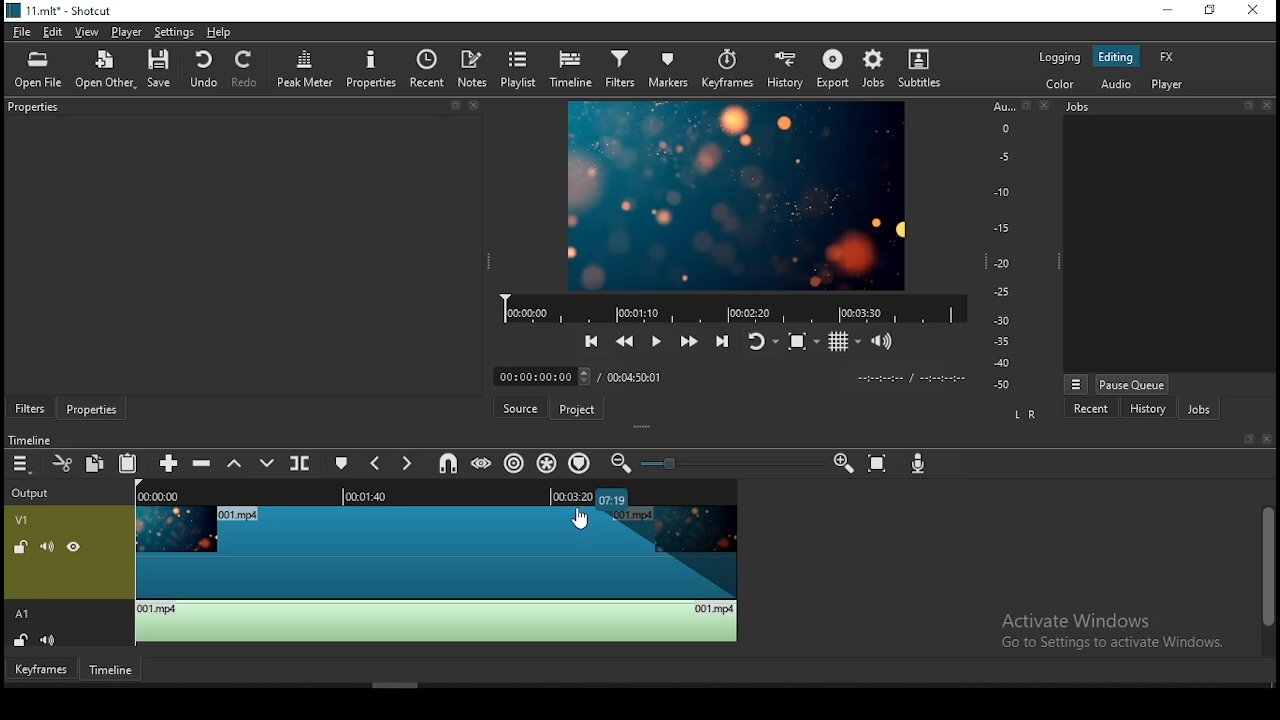  What do you see at coordinates (370, 497) in the screenshot?
I see `played time` at bounding box center [370, 497].